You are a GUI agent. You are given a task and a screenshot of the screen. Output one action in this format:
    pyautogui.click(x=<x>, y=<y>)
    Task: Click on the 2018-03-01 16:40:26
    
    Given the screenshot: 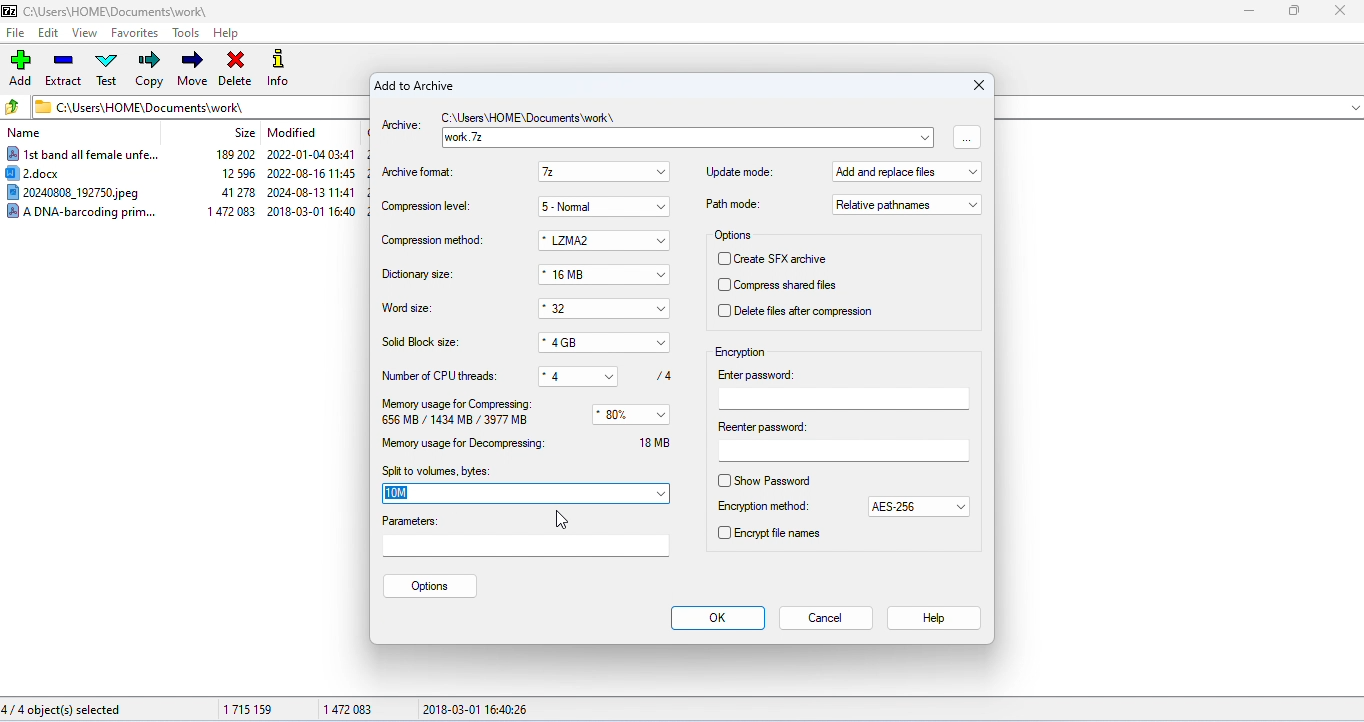 What is the action you would take?
    pyautogui.click(x=477, y=709)
    